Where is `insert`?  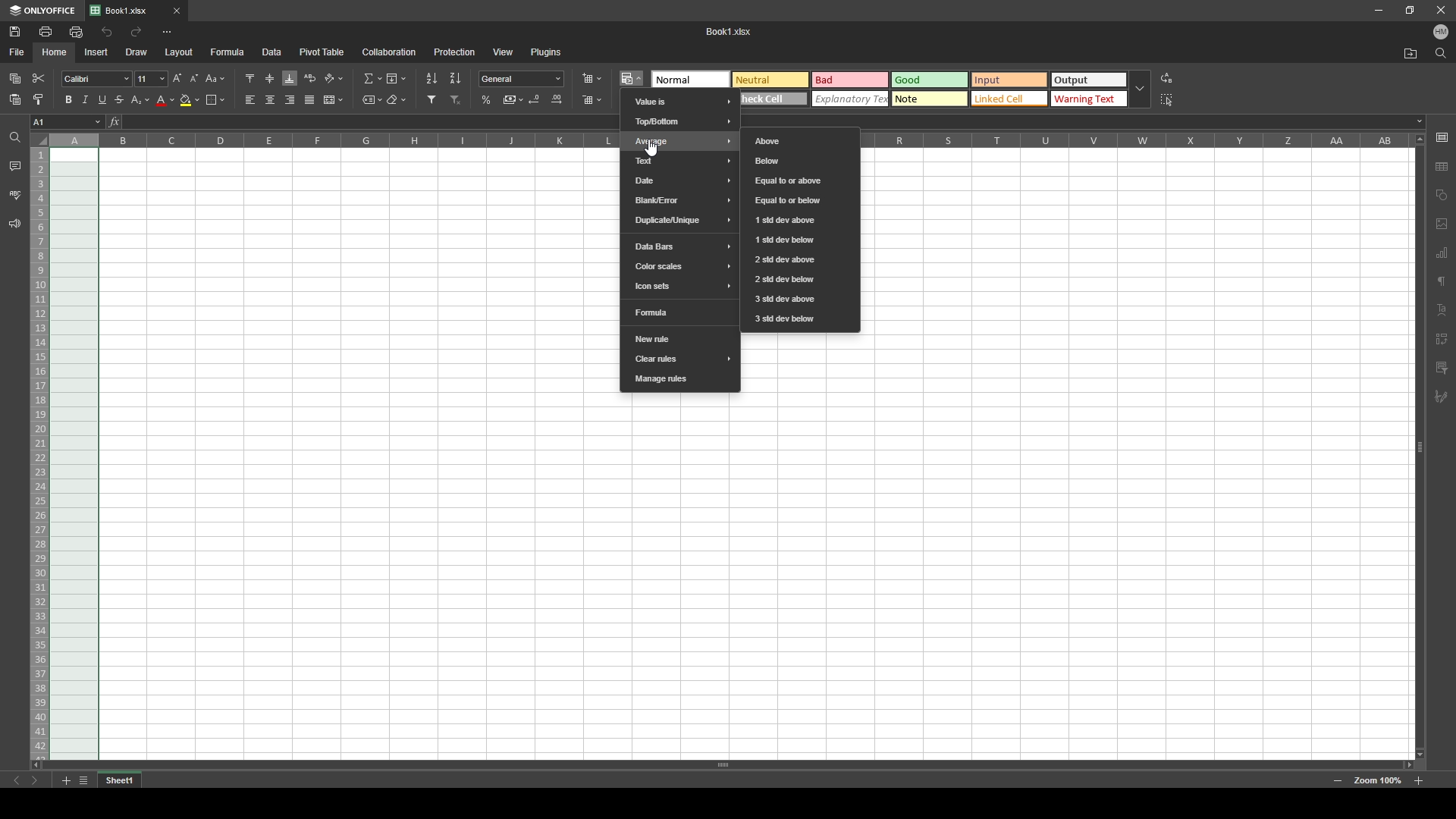
insert is located at coordinates (93, 52).